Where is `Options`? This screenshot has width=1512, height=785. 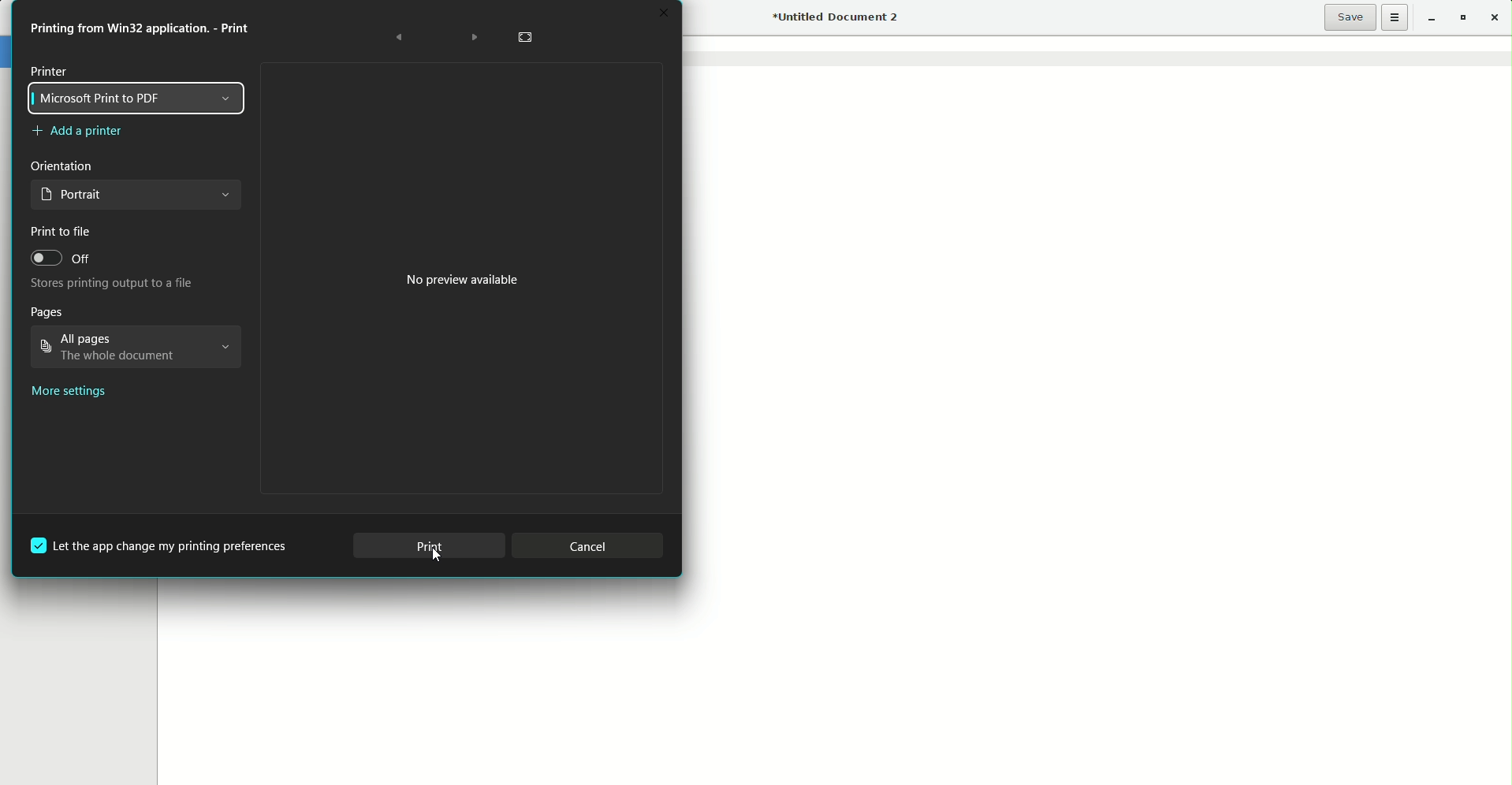 Options is located at coordinates (1395, 17).